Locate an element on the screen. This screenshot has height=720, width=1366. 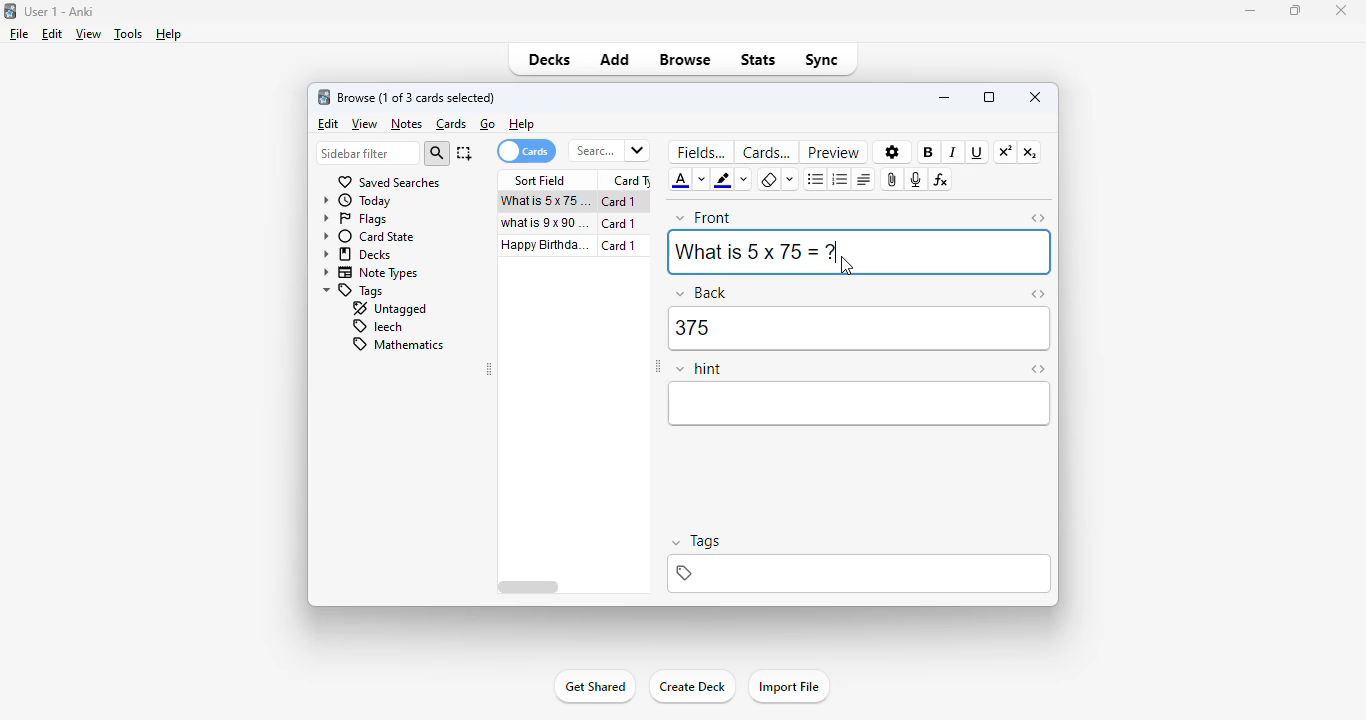
decks is located at coordinates (356, 254).